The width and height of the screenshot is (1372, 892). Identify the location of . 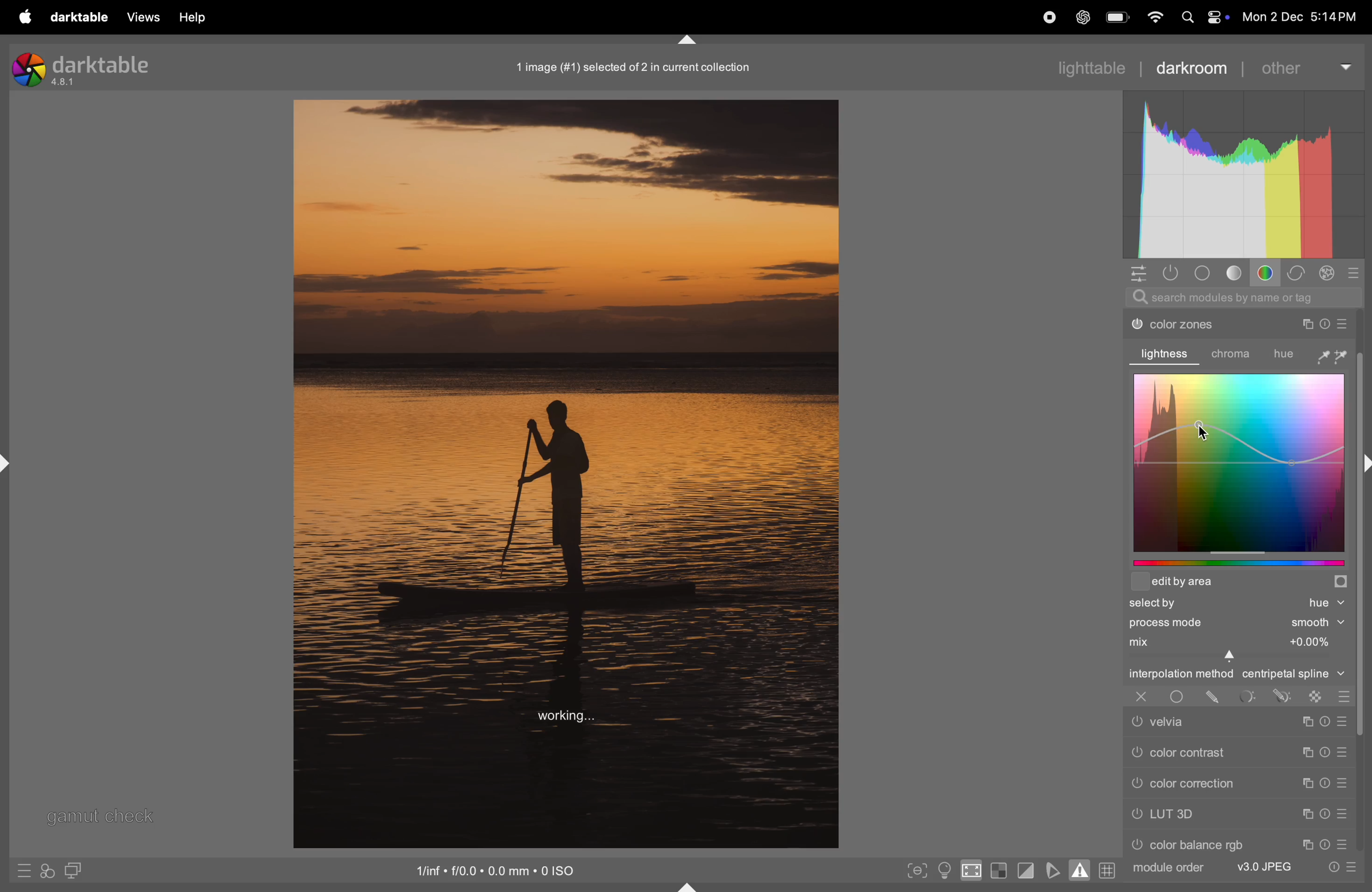
(1298, 273).